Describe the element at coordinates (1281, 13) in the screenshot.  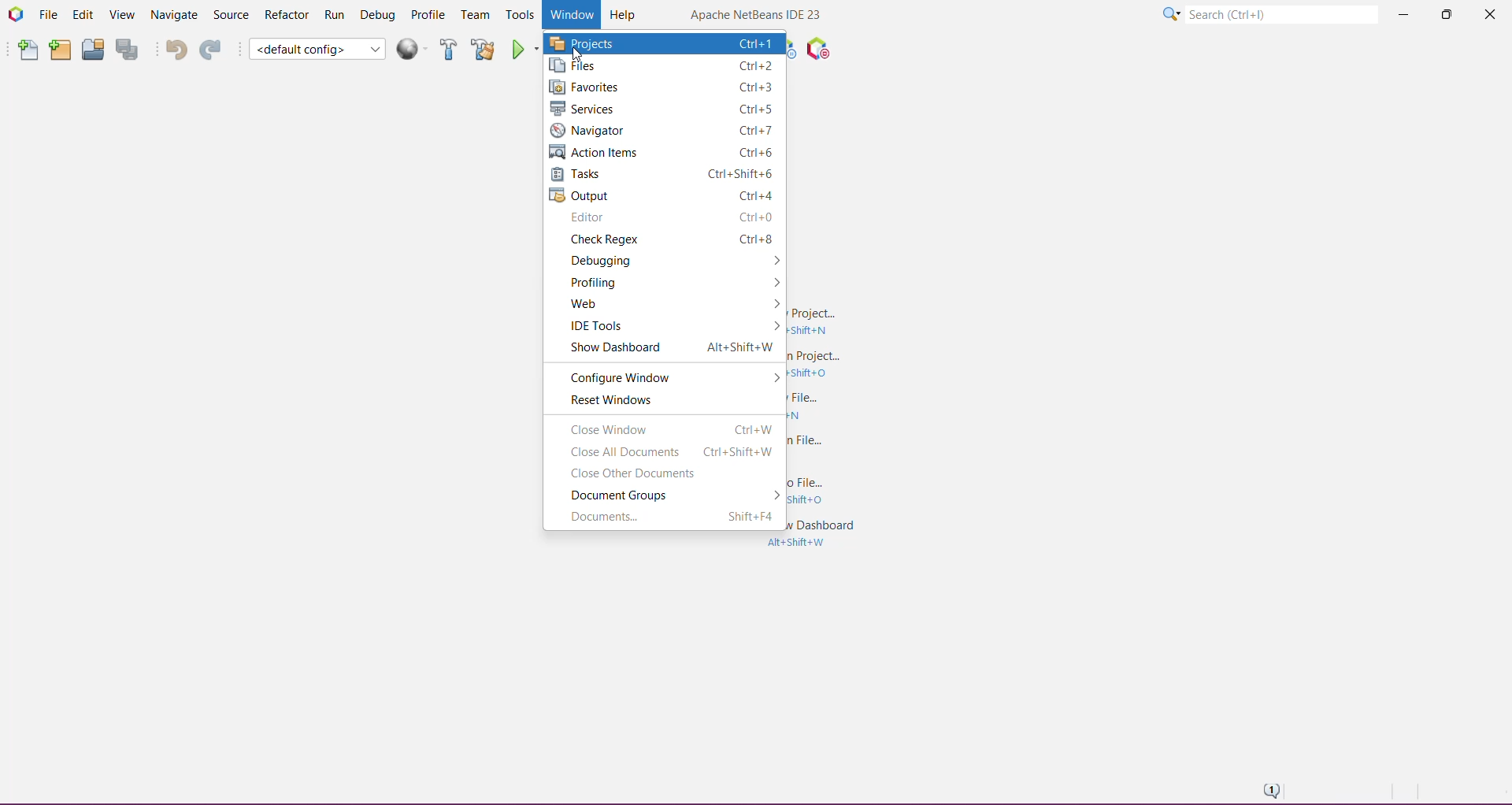
I see `Search` at that location.